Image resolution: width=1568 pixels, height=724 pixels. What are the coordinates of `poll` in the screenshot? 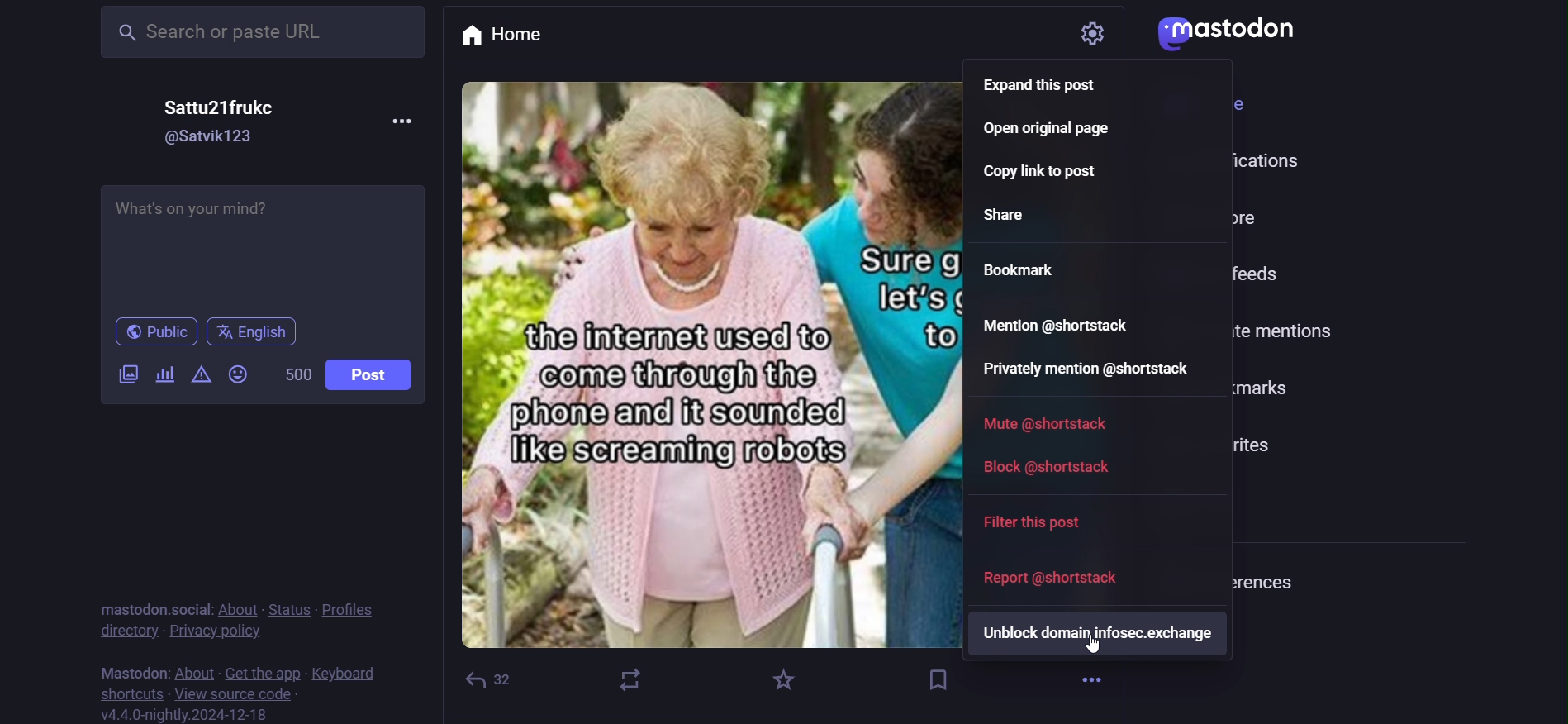 It's located at (164, 374).